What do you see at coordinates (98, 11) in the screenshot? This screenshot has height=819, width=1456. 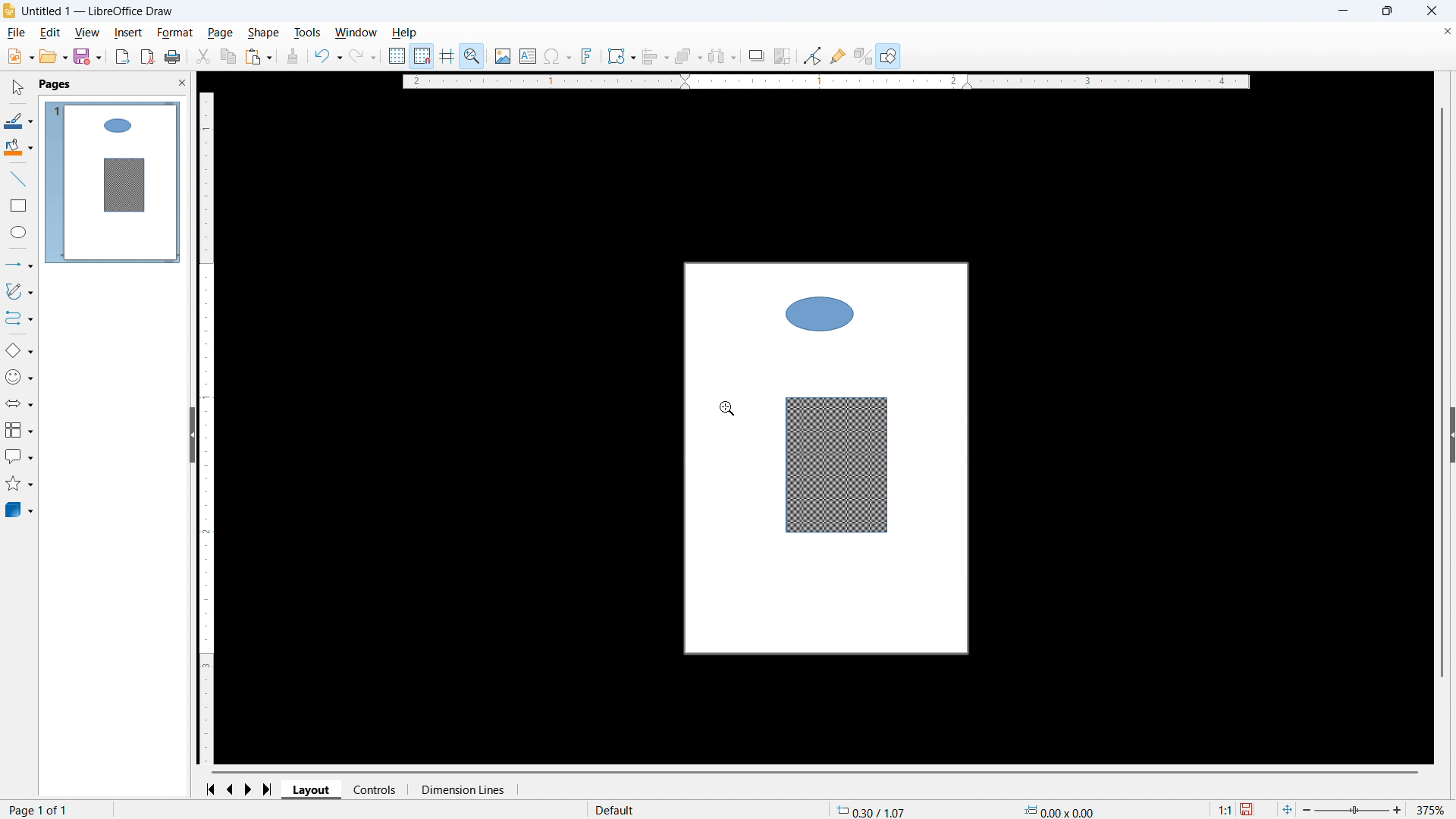 I see `Document title ` at bounding box center [98, 11].